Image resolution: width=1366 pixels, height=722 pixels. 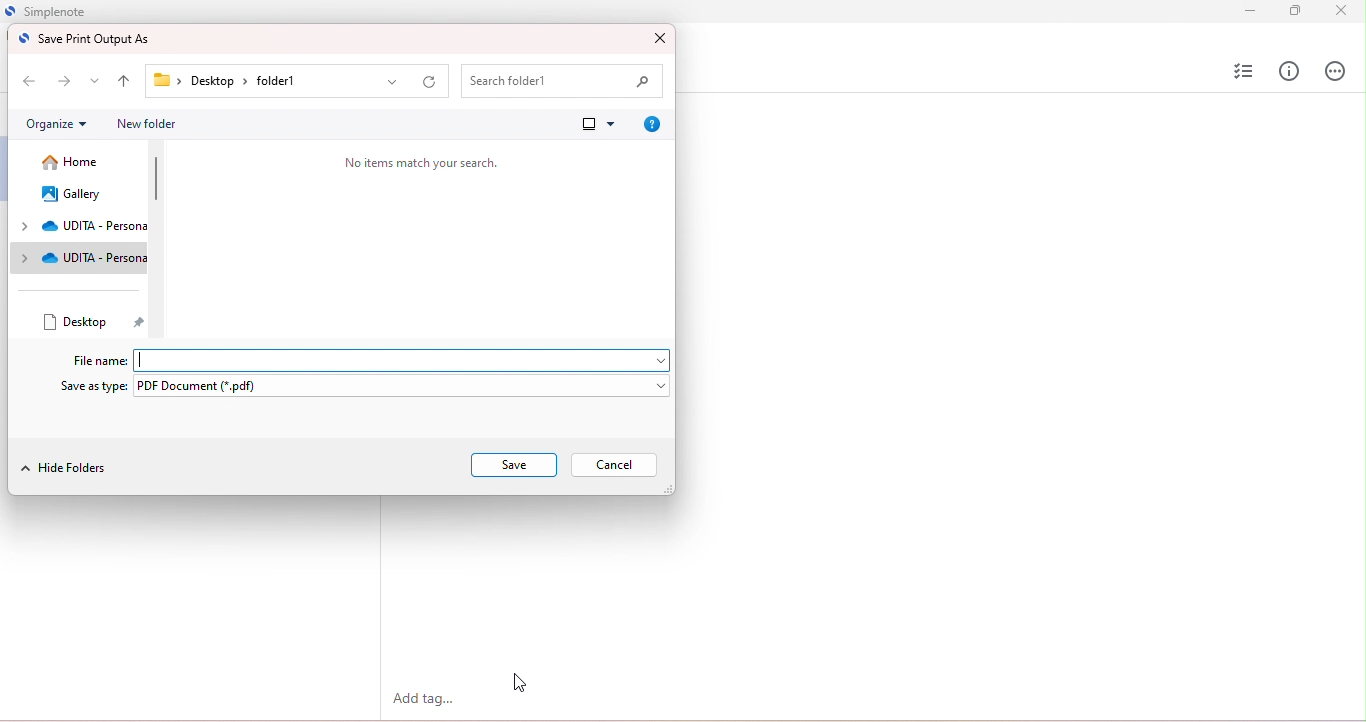 What do you see at coordinates (649, 124) in the screenshot?
I see `help` at bounding box center [649, 124].